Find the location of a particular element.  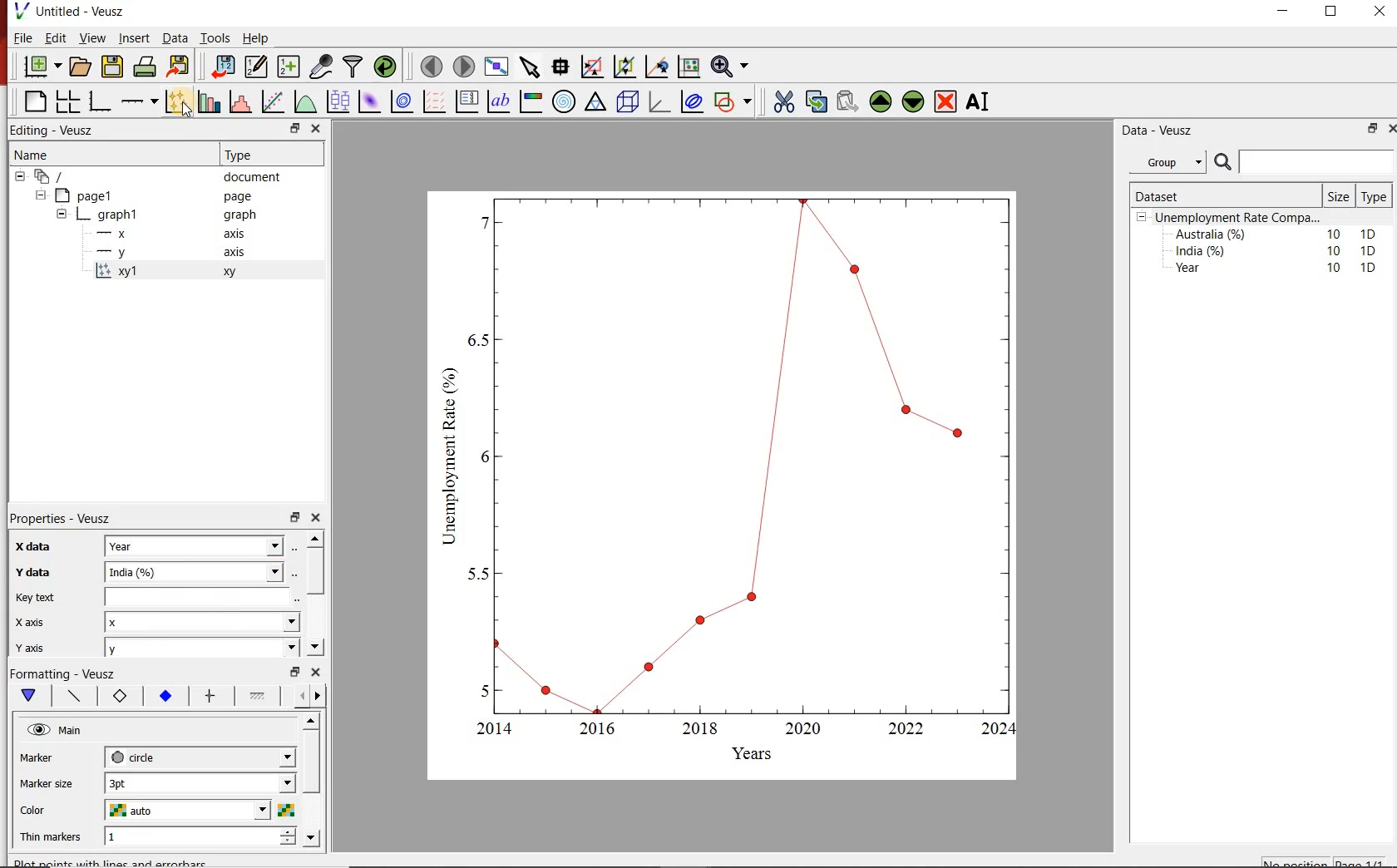

Data is located at coordinates (175, 38).